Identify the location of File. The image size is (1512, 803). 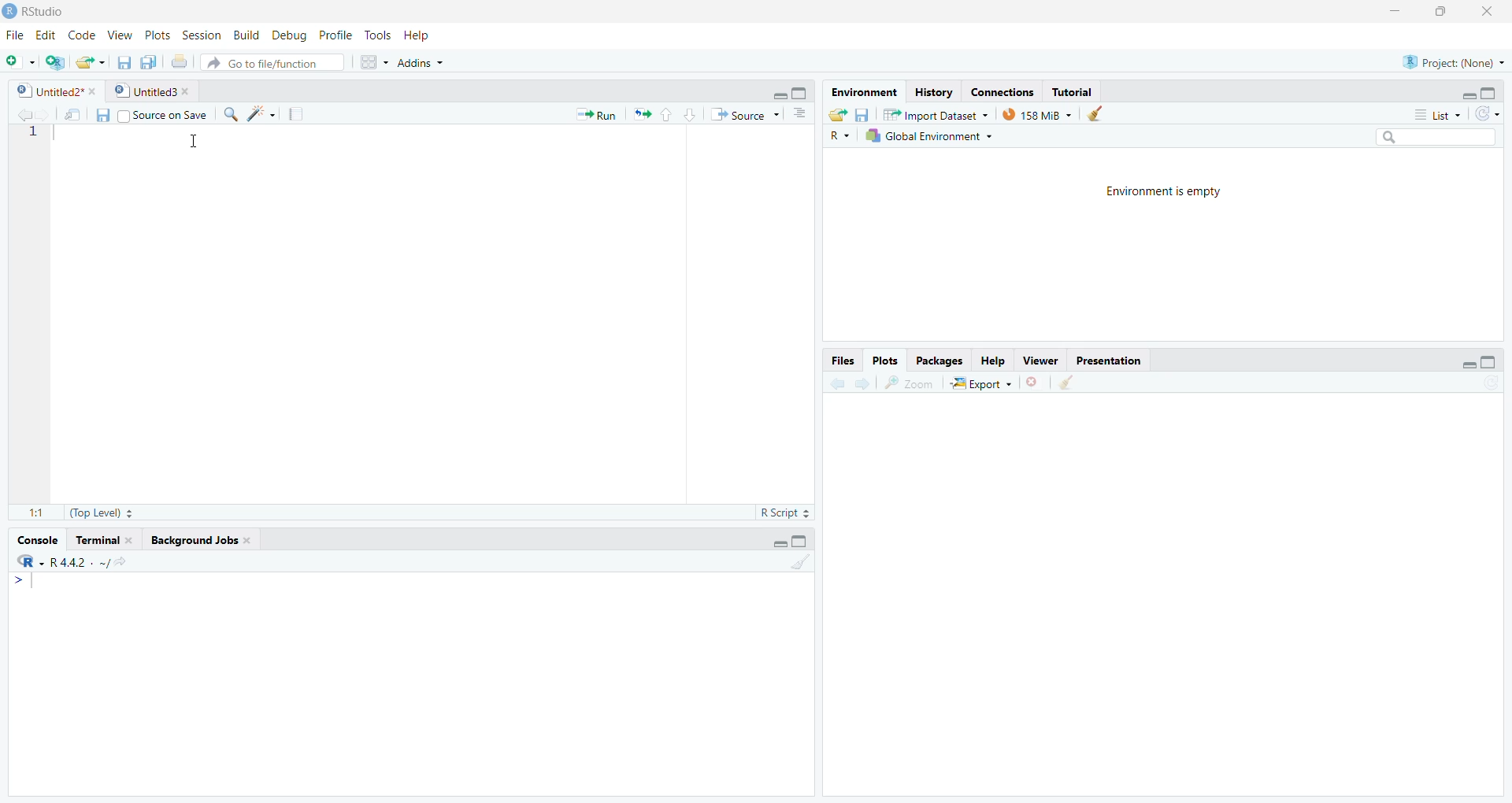
(13, 35).